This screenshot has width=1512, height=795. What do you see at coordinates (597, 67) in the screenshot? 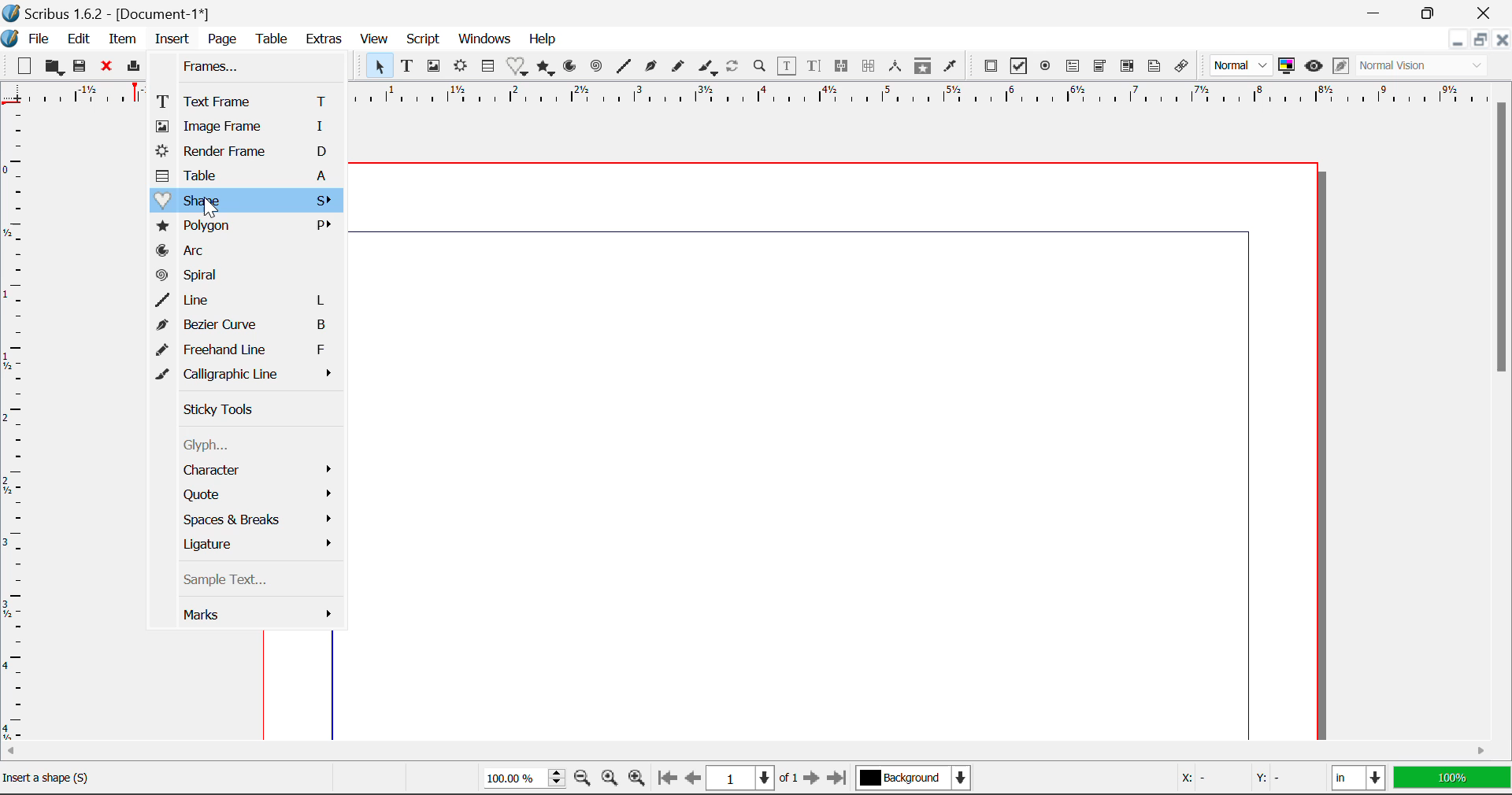
I see `Spiral` at bounding box center [597, 67].